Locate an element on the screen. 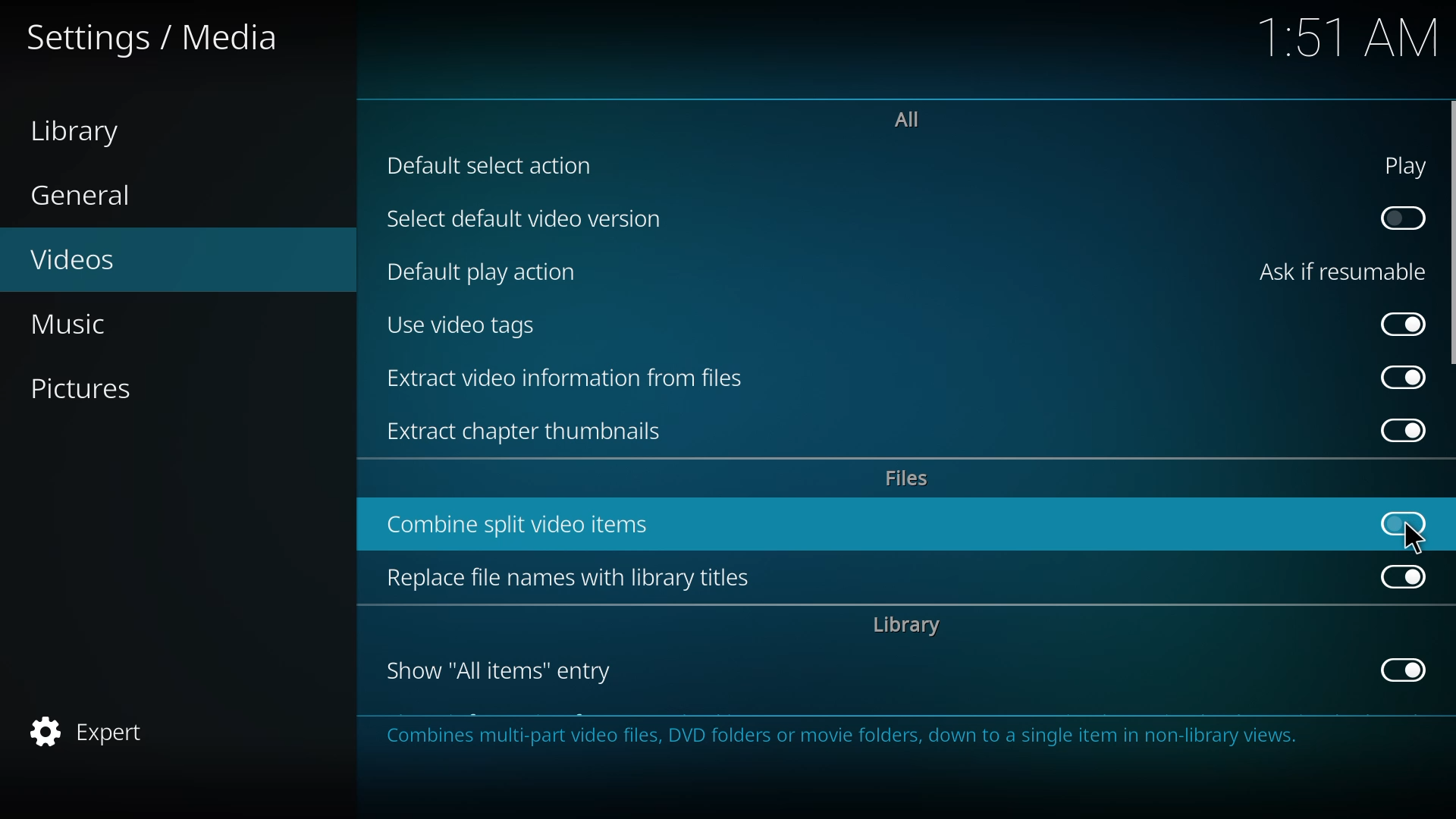 The image size is (1456, 819). extract chapter thumbnails is located at coordinates (534, 431).